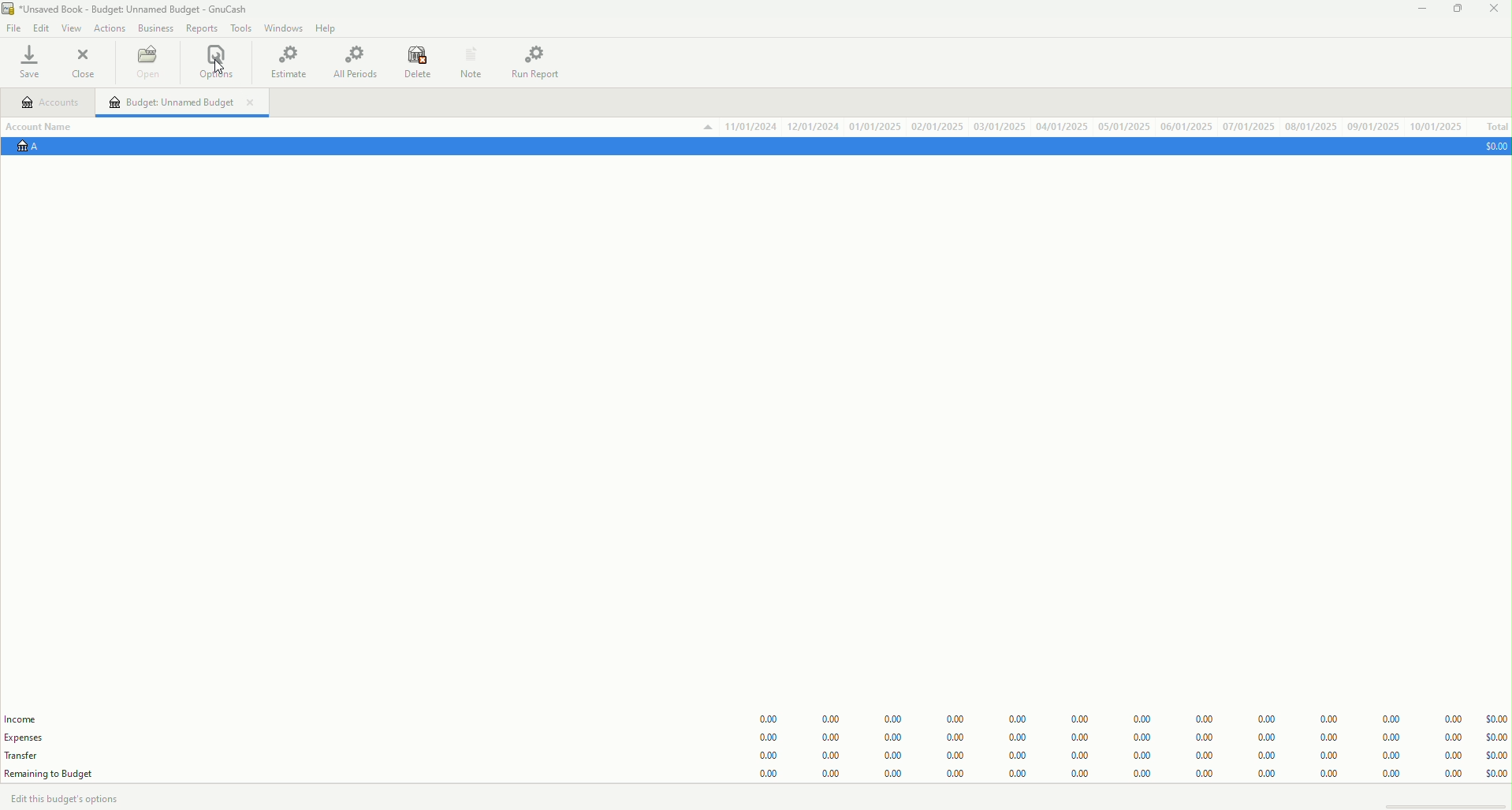  I want to click on Minimize, so click(1420, 12).